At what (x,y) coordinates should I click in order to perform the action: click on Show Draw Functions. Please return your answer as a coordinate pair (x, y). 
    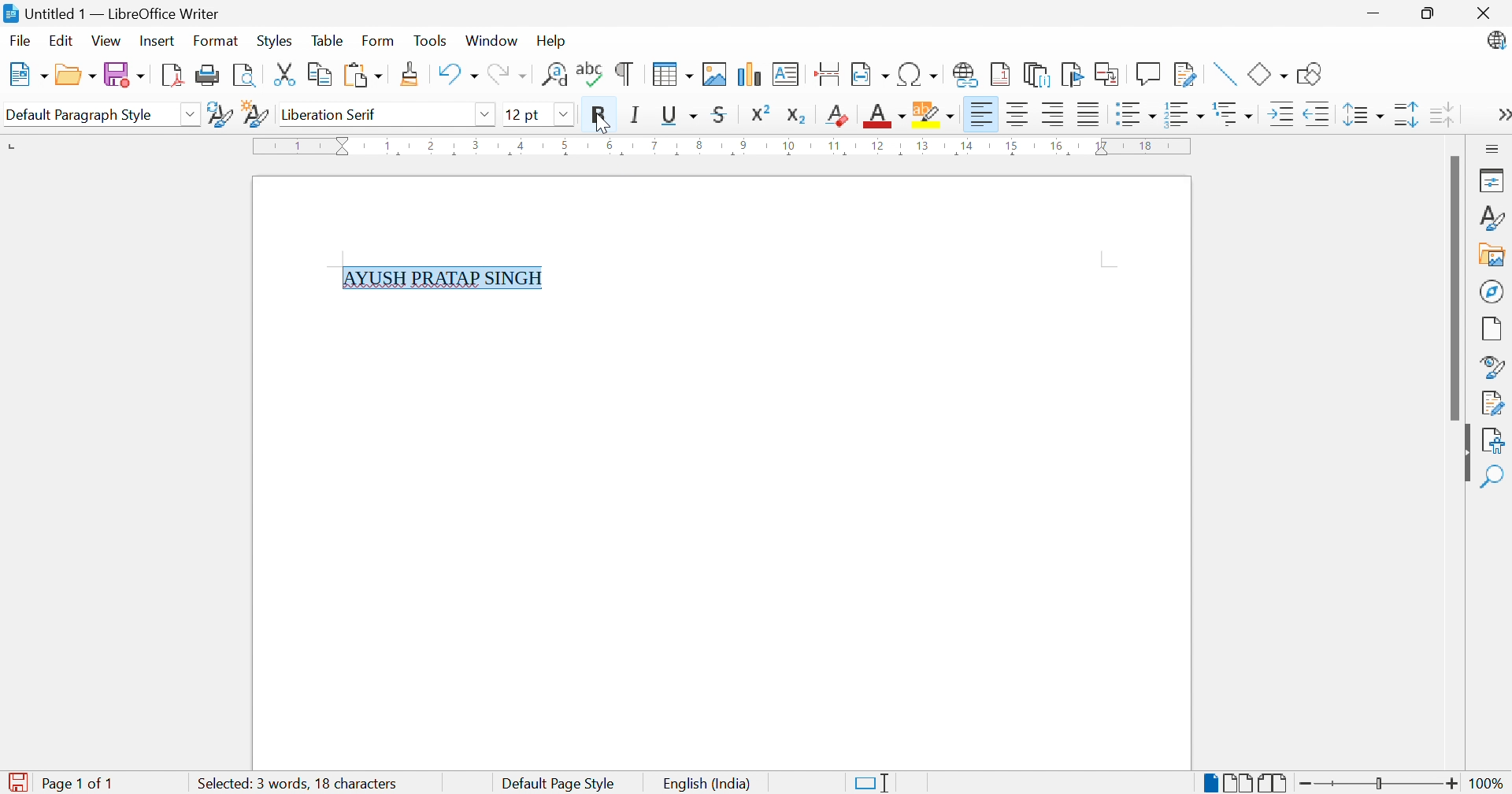
    Looking at the image, I should click on (1310, 75).